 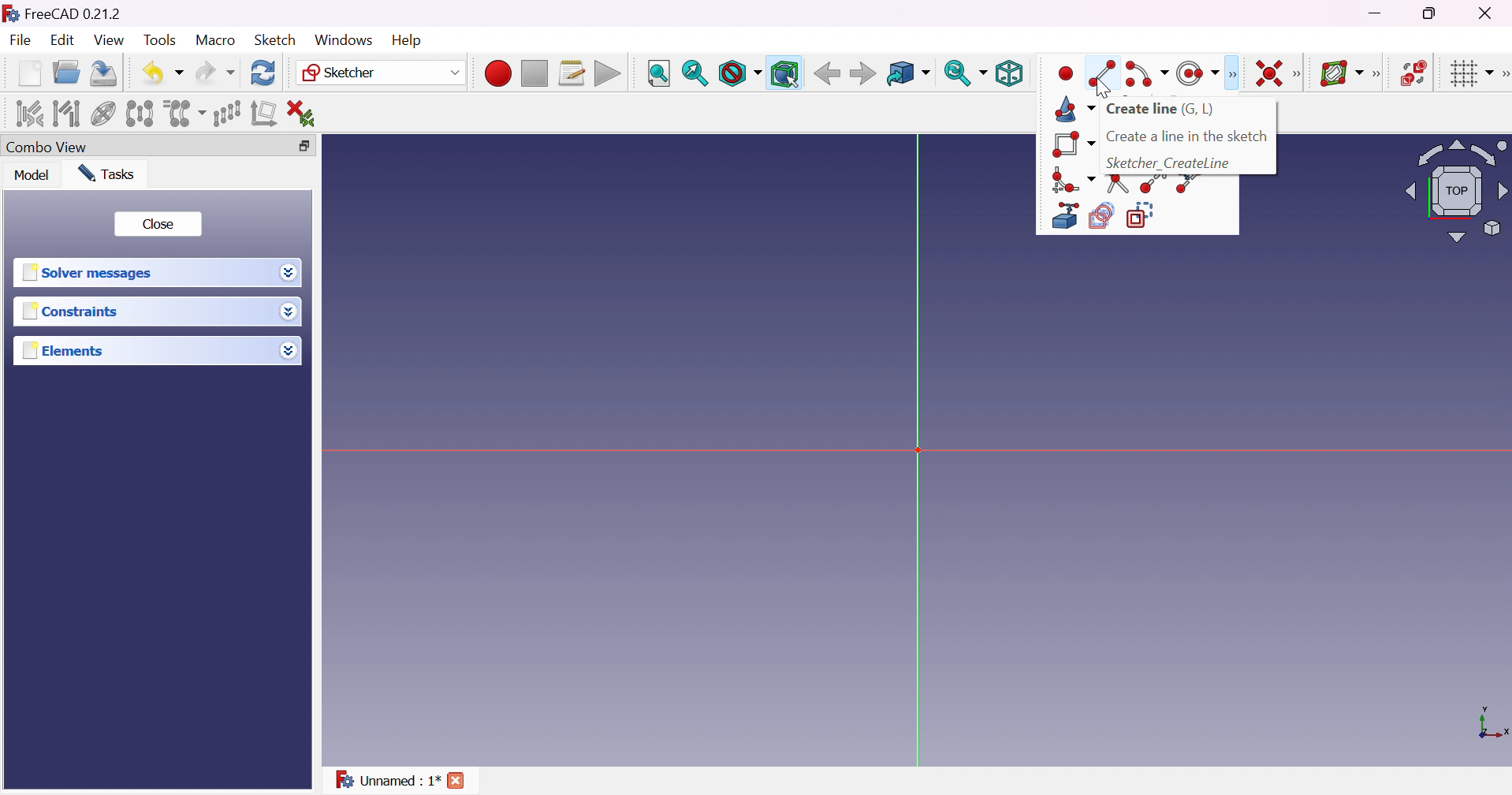 What do you see at coordinates (1145, 215) in the screenshot?
I see `Toggle construction geometry` at bounding box center [1145, 215].